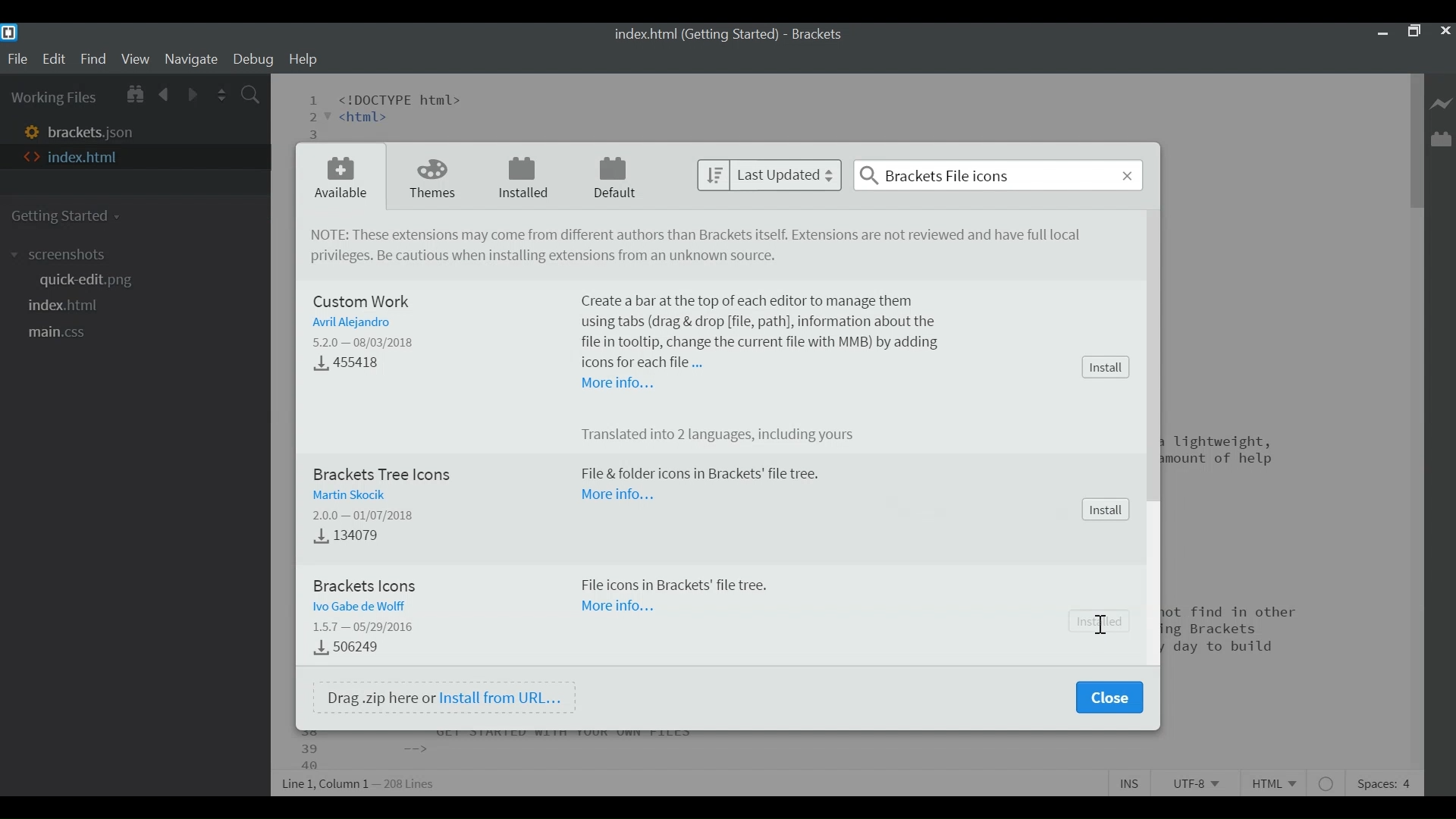 The image size is (1456, 819). I want to click on File, so click(17, 59).